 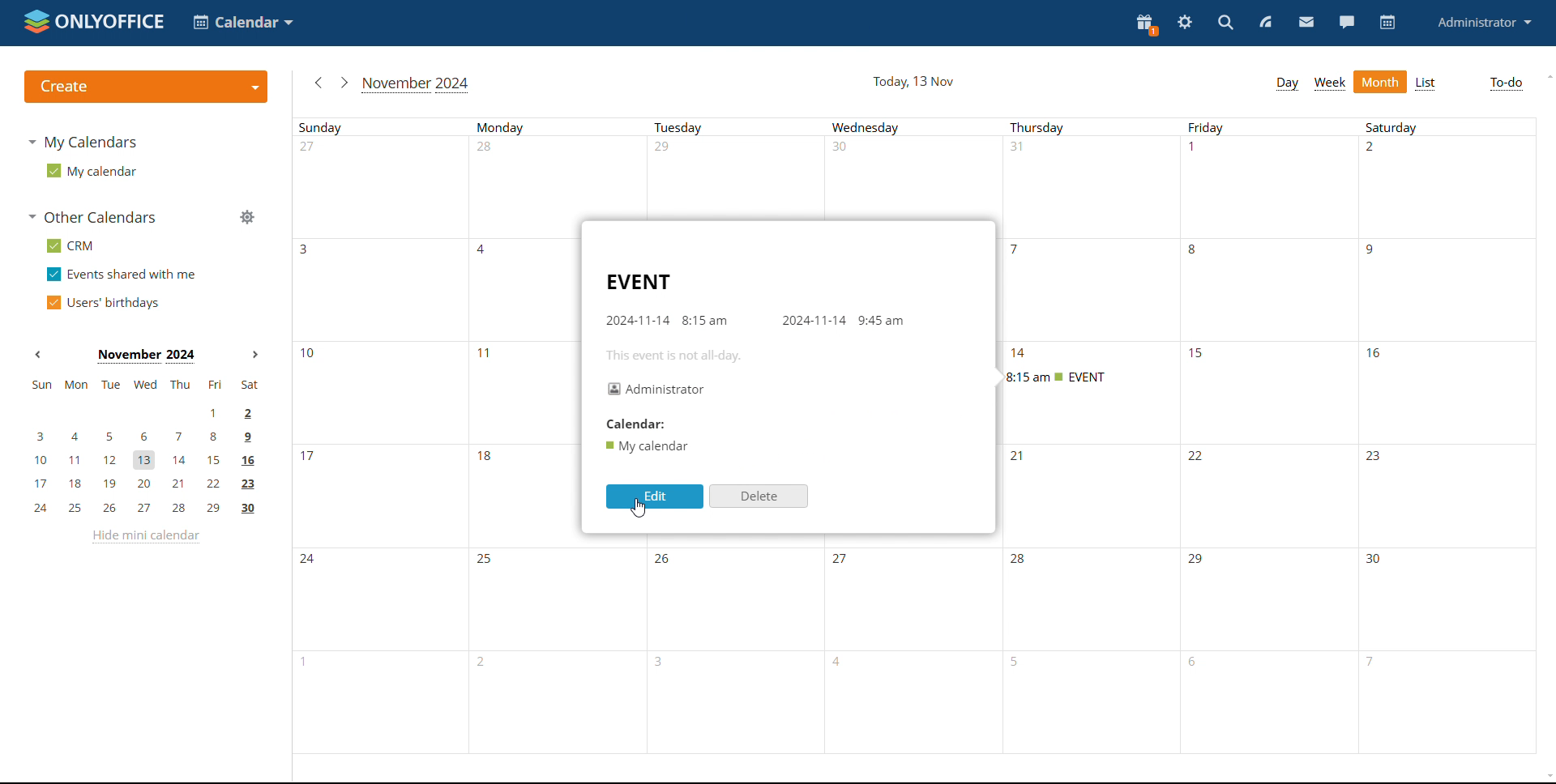 What do you see at coordinates (68, 246) in the screenshot?
I see `crm` at bounding box center [68, 246].